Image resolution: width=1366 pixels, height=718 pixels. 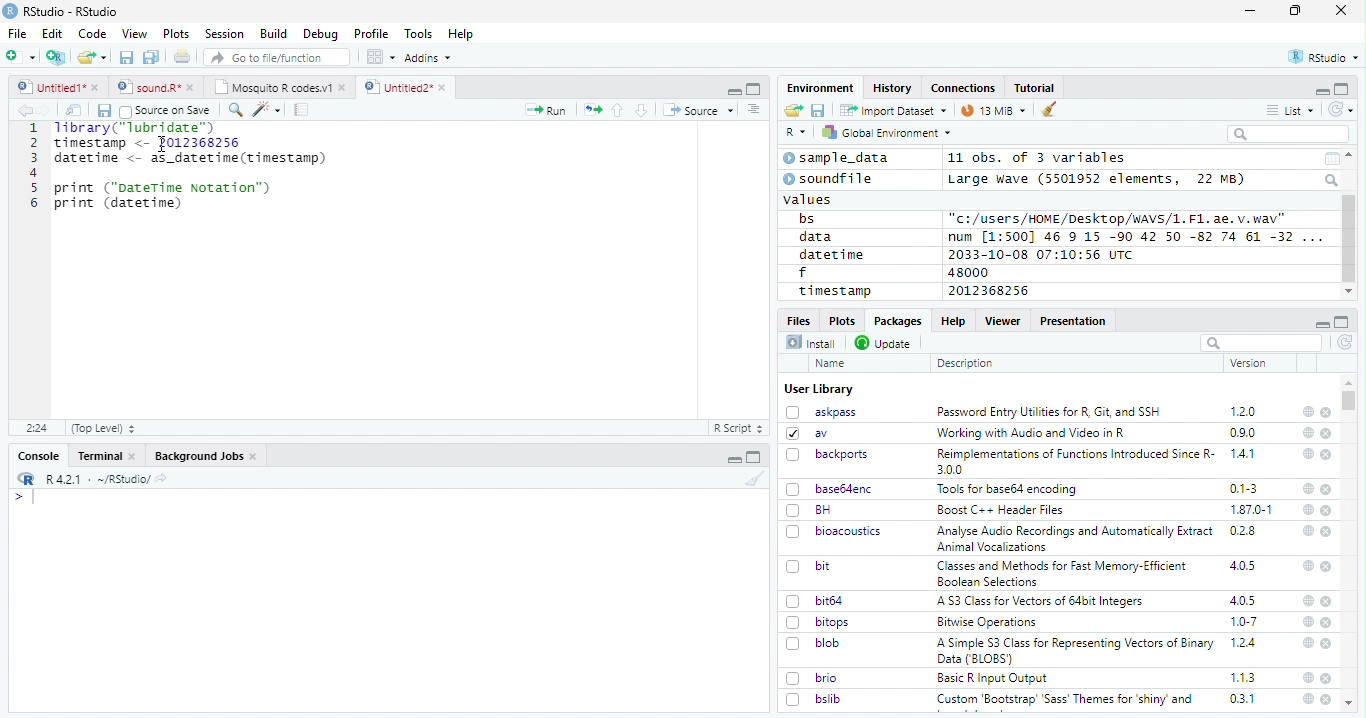 I want to click on Boost C++ Header Files, so click(x=998, y=511).